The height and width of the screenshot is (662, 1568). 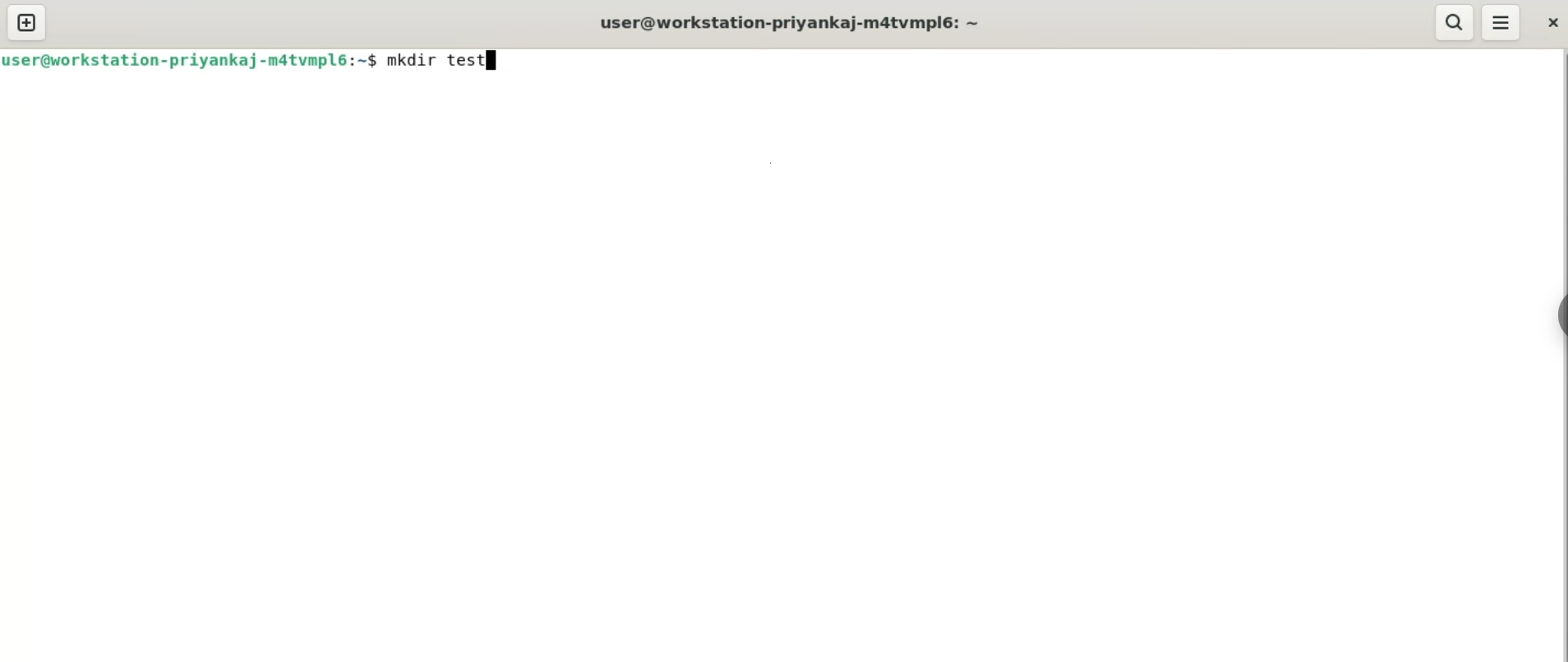 I want to click on close, so click(x=1549, y=25).